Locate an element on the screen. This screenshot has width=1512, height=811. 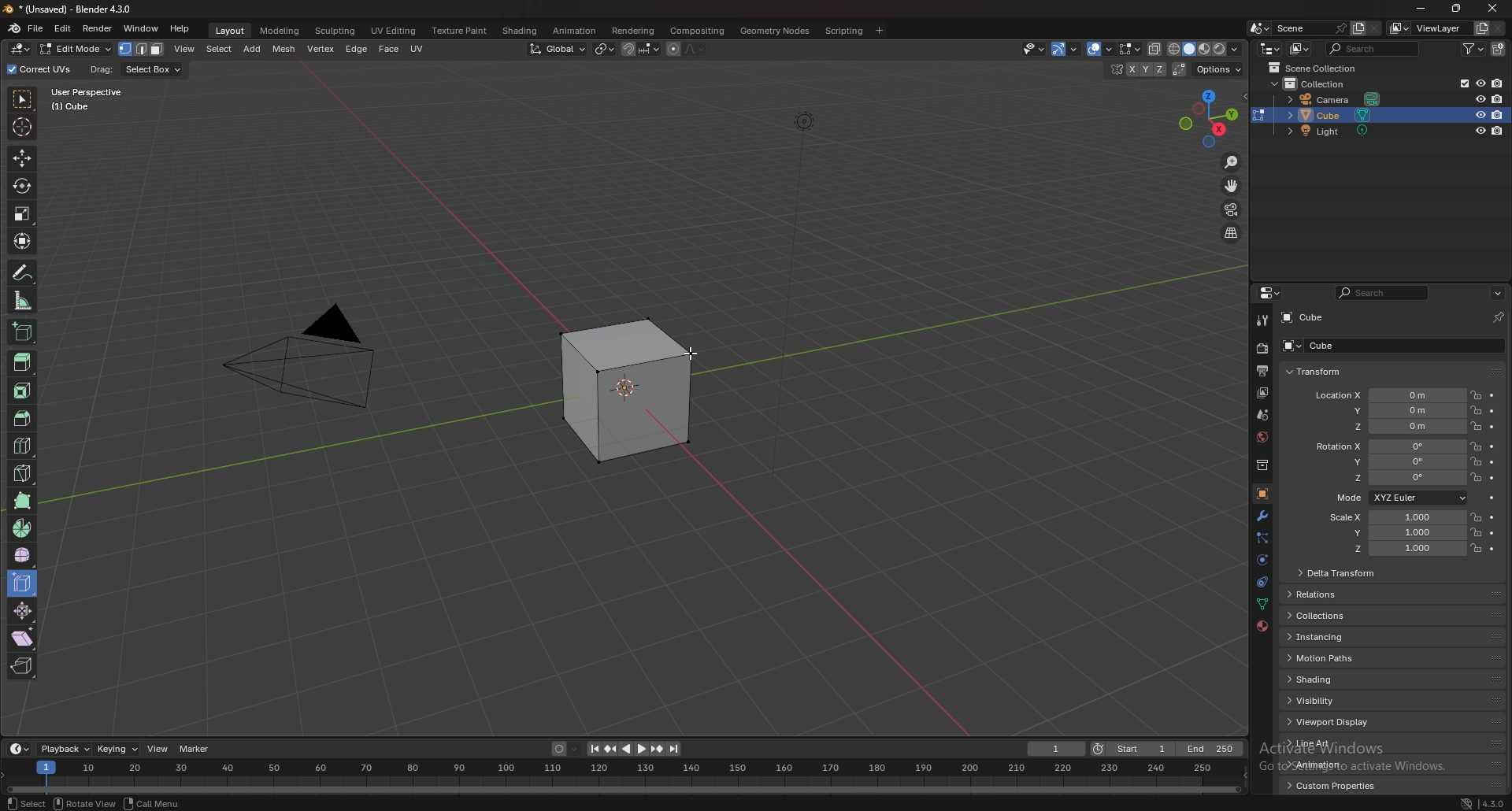
scene collection is located at coordinates (1321, 67).